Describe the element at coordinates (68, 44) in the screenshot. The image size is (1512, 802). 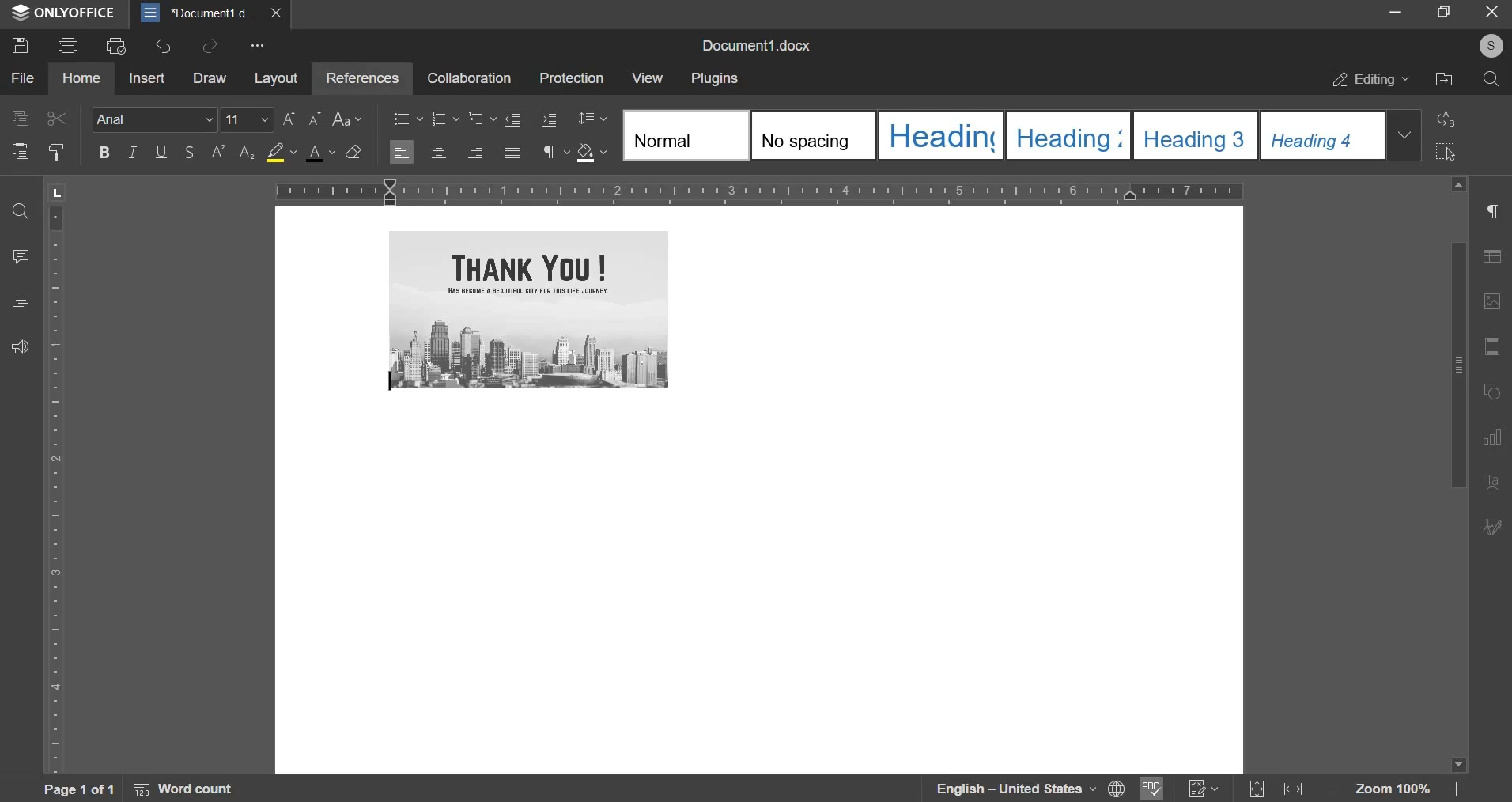
I see `print` at that location.